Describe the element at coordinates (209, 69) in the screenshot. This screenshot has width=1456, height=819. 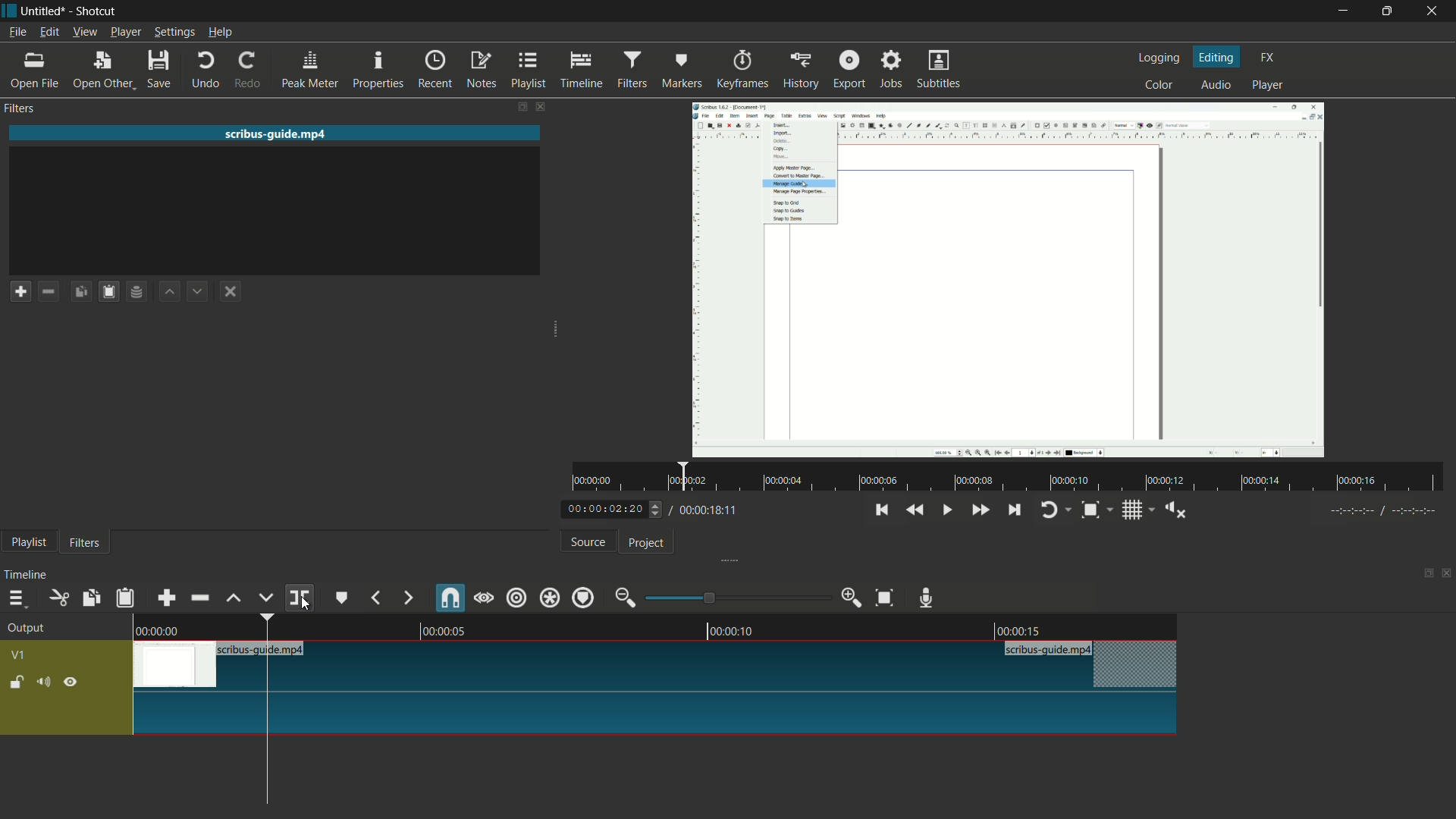
I see `undo` at that location.